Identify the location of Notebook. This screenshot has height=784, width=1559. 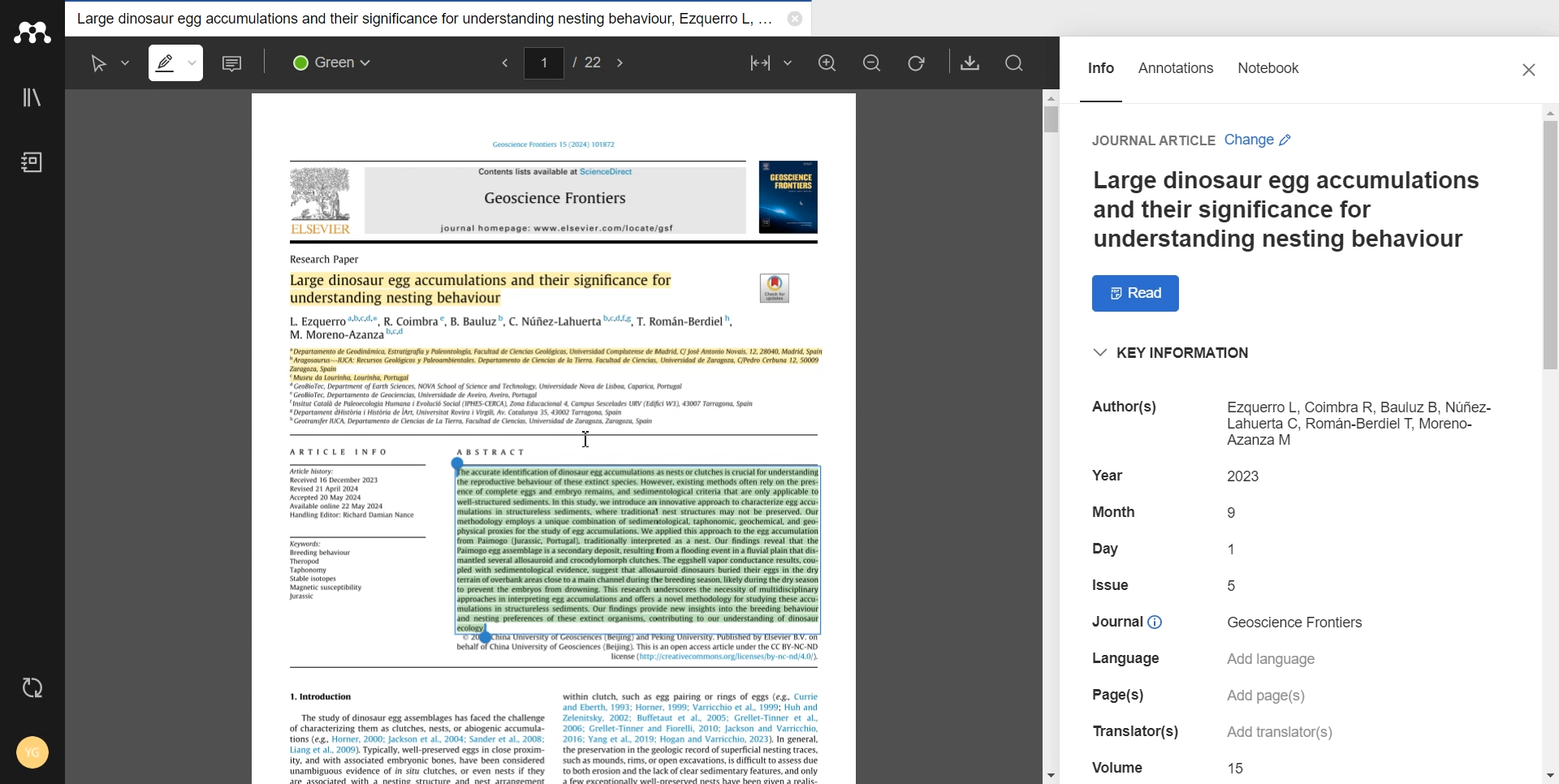
(32, 162).